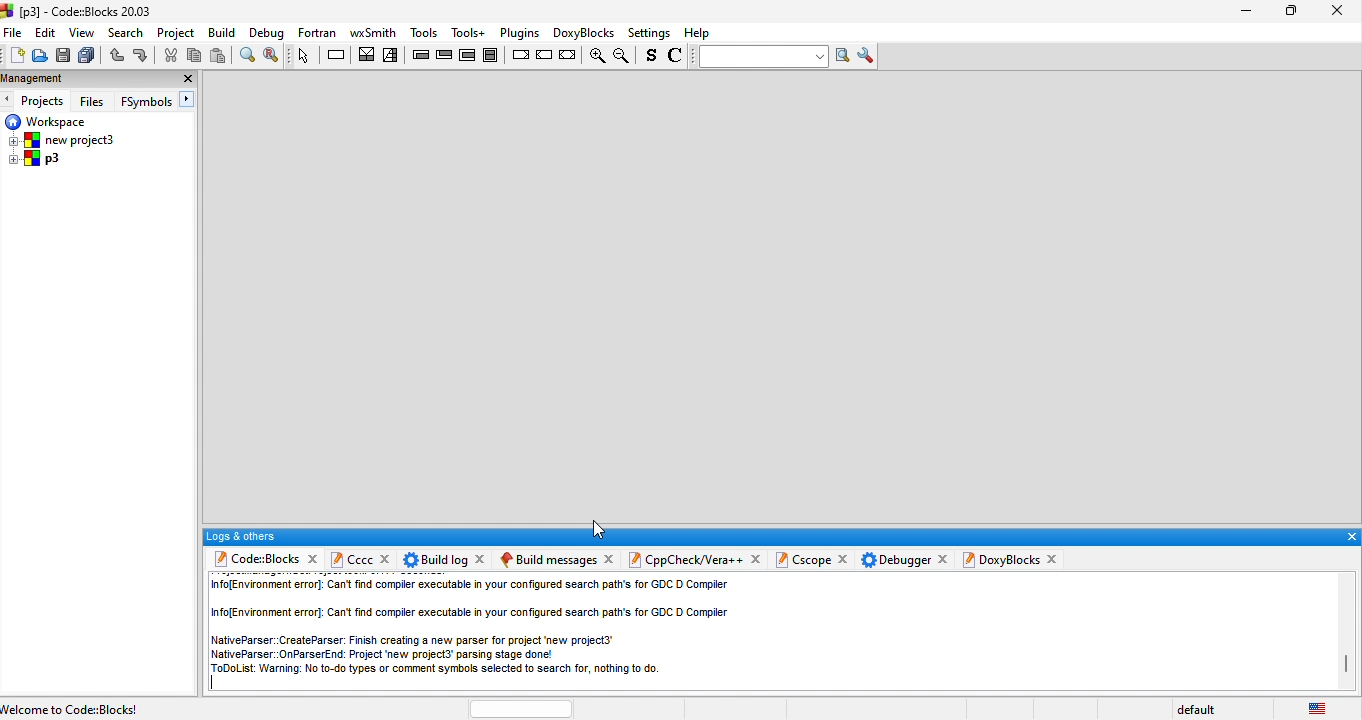  What do you see at coordinates (169, 56) in the screenshot?
I see `cut` at bounding box center [169, 56].